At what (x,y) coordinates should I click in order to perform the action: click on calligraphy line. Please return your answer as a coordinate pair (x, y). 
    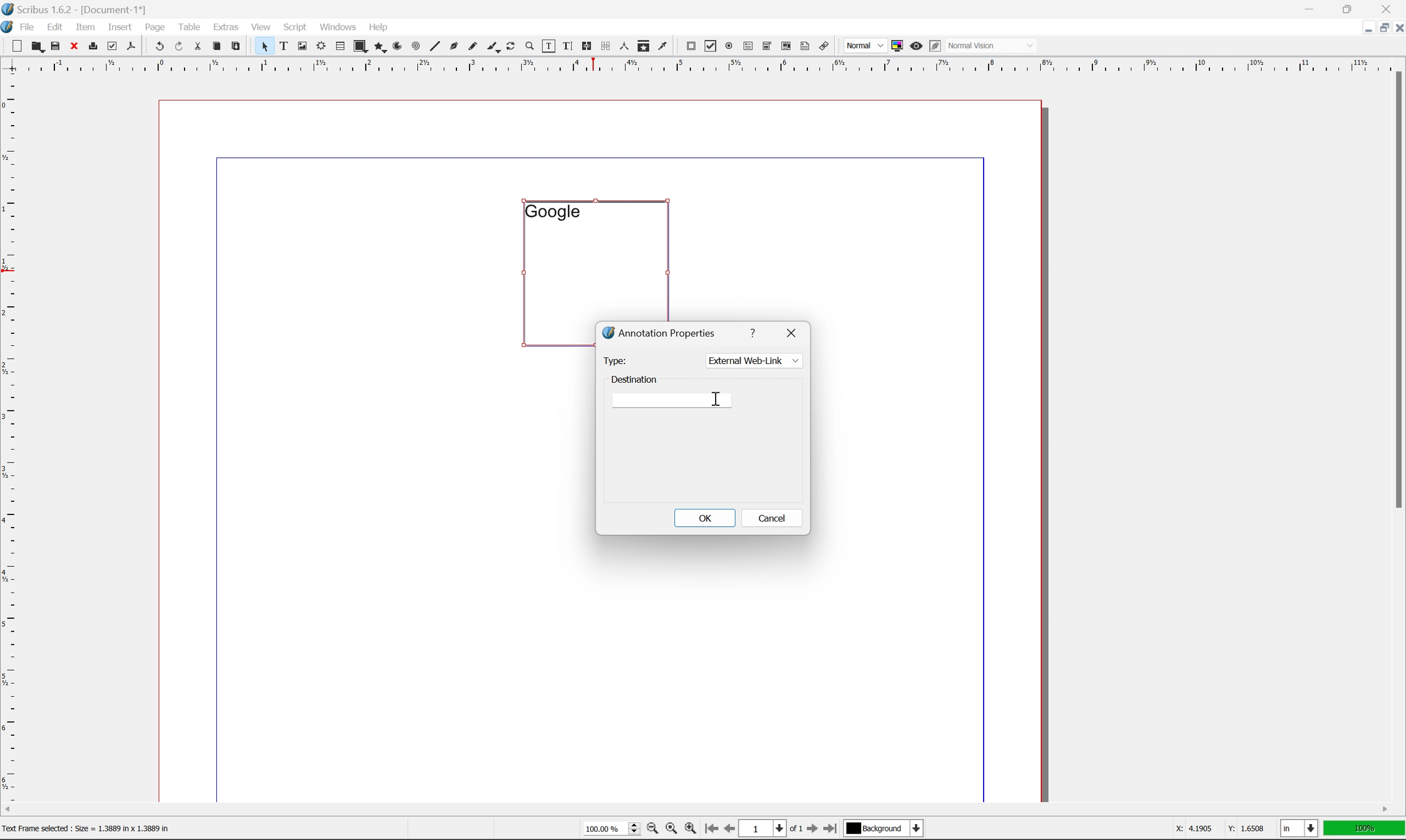
    Looking at the image, I should click on (493, 45).